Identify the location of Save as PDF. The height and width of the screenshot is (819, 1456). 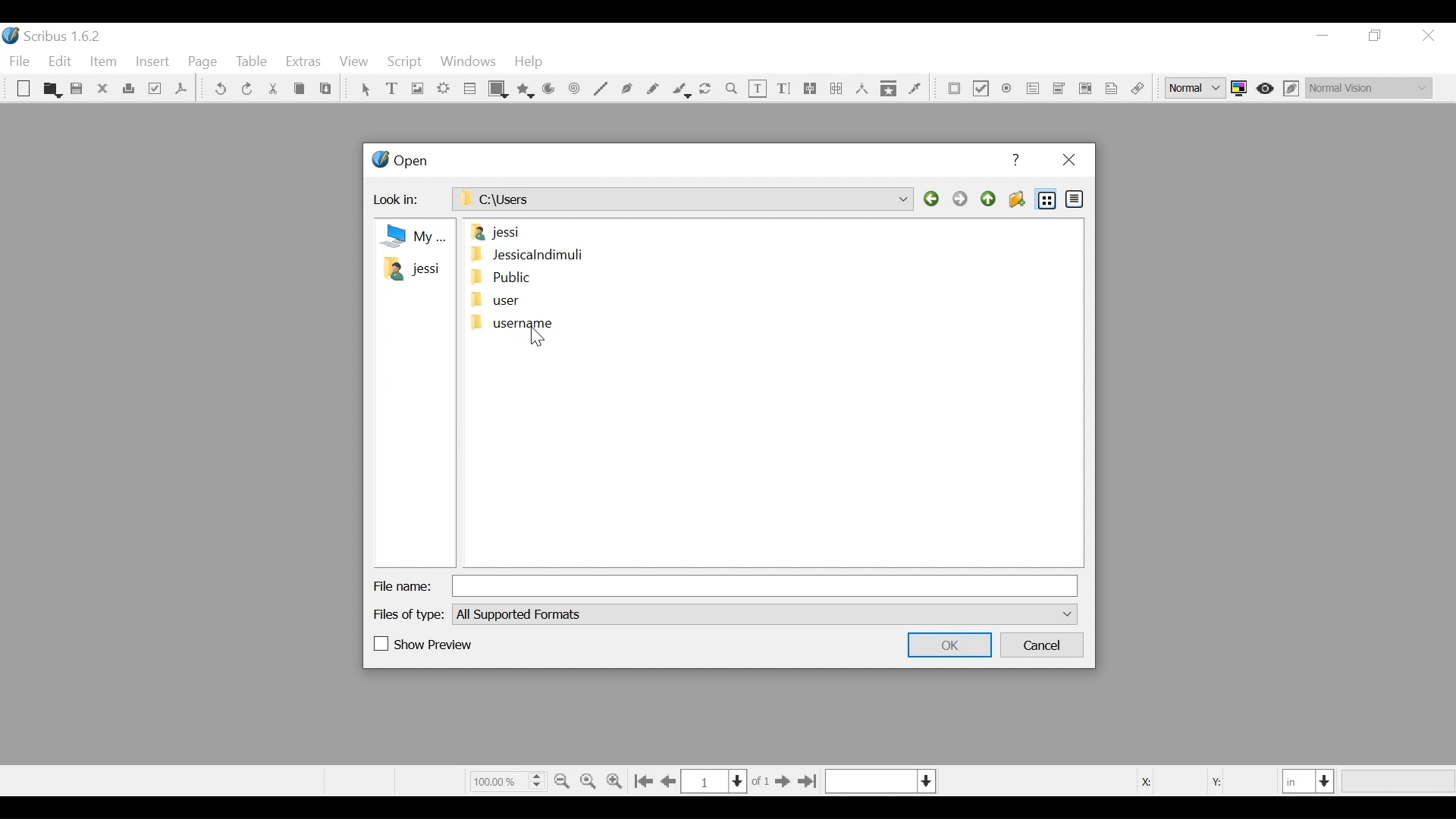
(180, 91).